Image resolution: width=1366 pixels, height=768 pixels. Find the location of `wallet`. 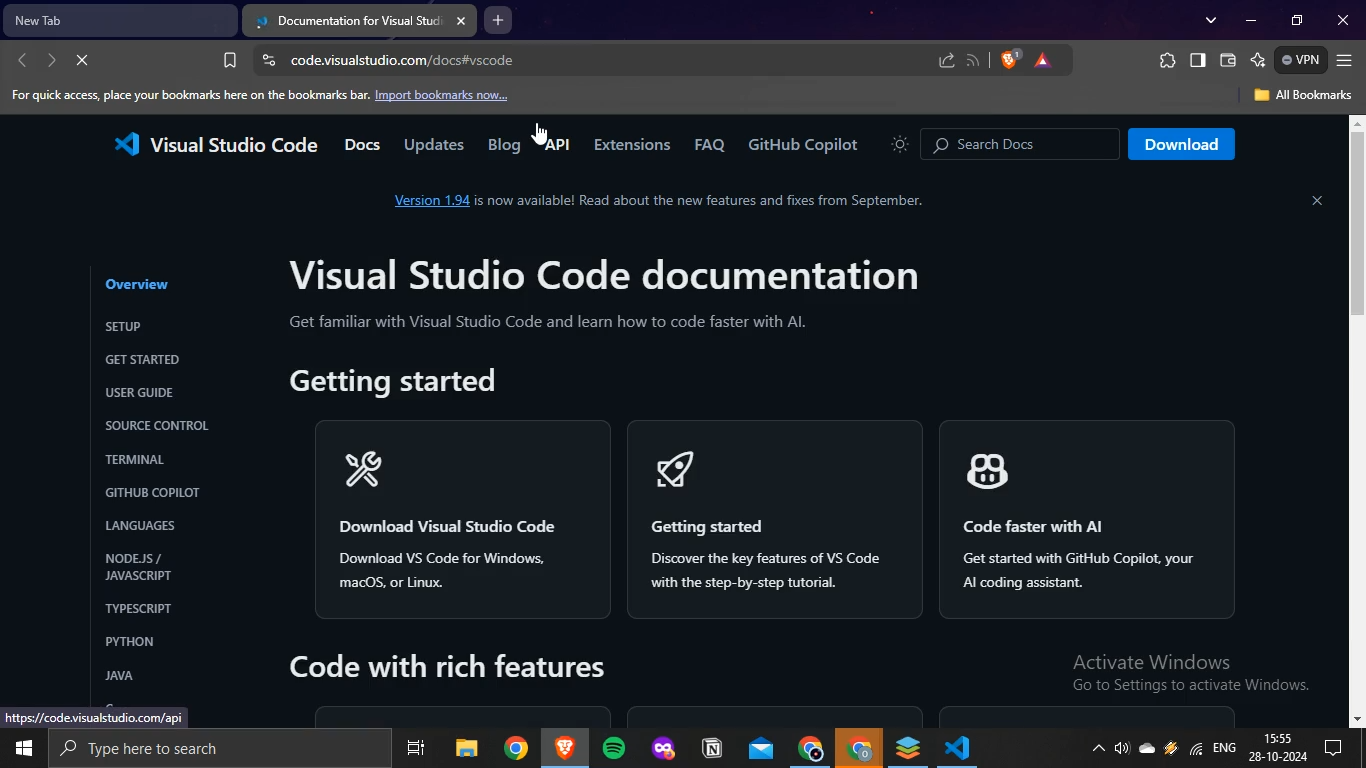

wallet is located at coordinates (1229, 59).